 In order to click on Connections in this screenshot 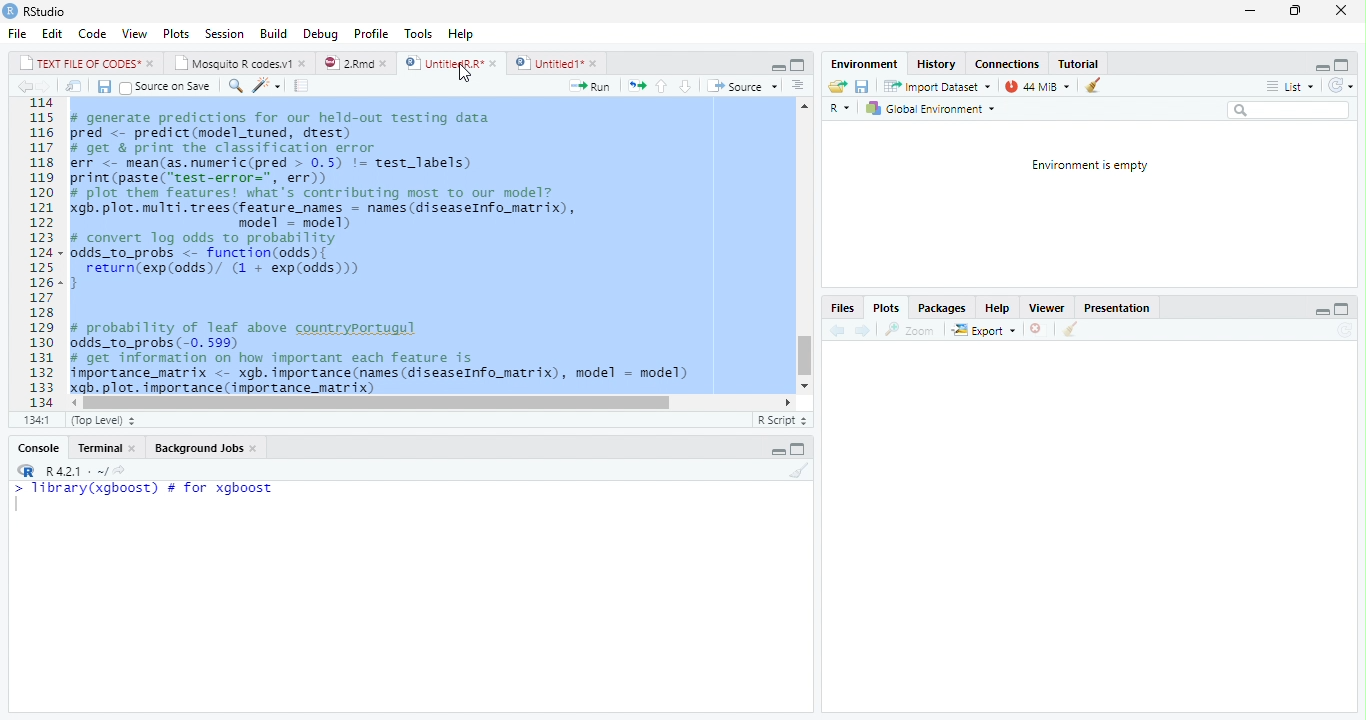, I will do `click(1007, 64)`.